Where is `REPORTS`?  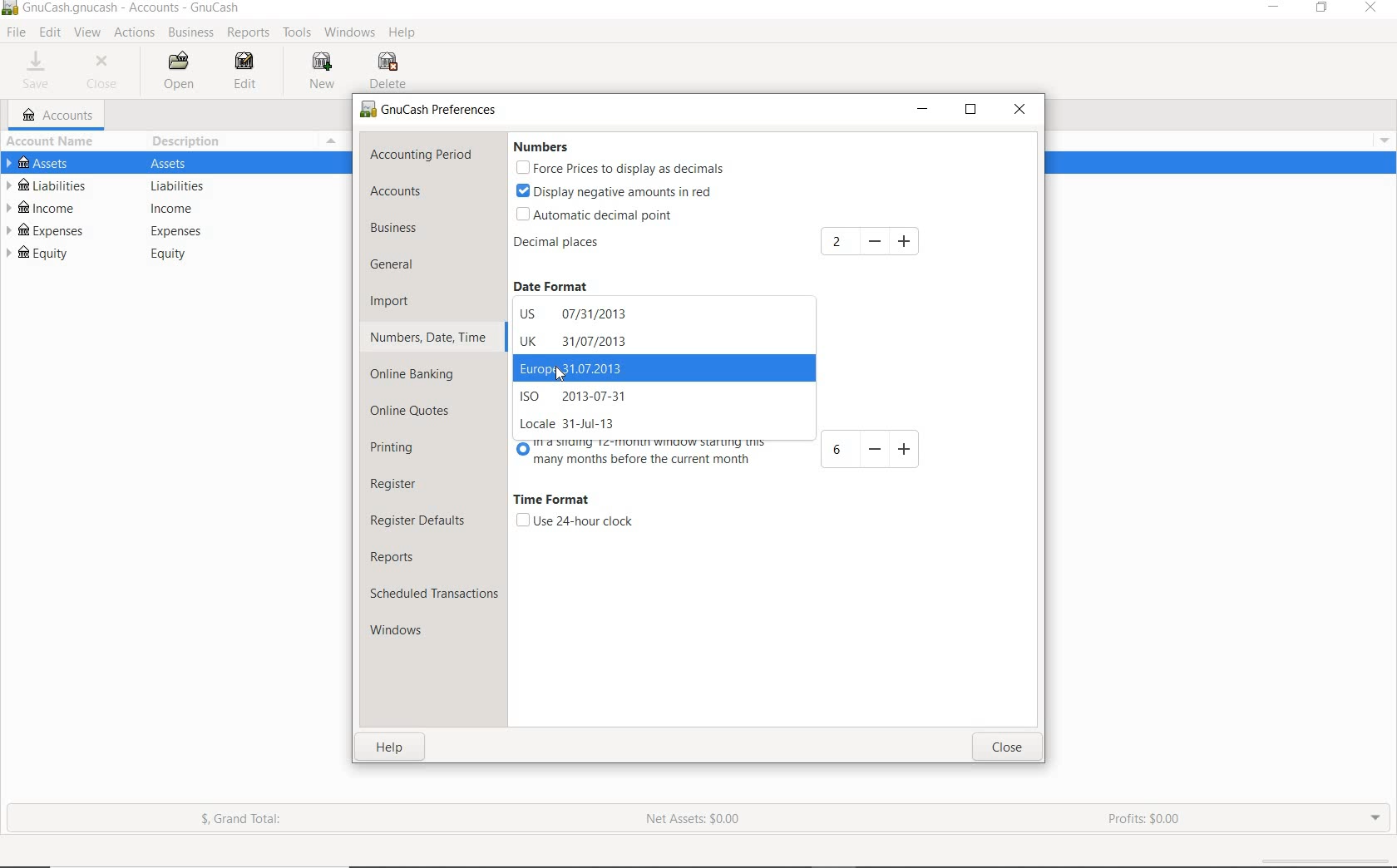
REPORTS is located at coordinates (249, 33).